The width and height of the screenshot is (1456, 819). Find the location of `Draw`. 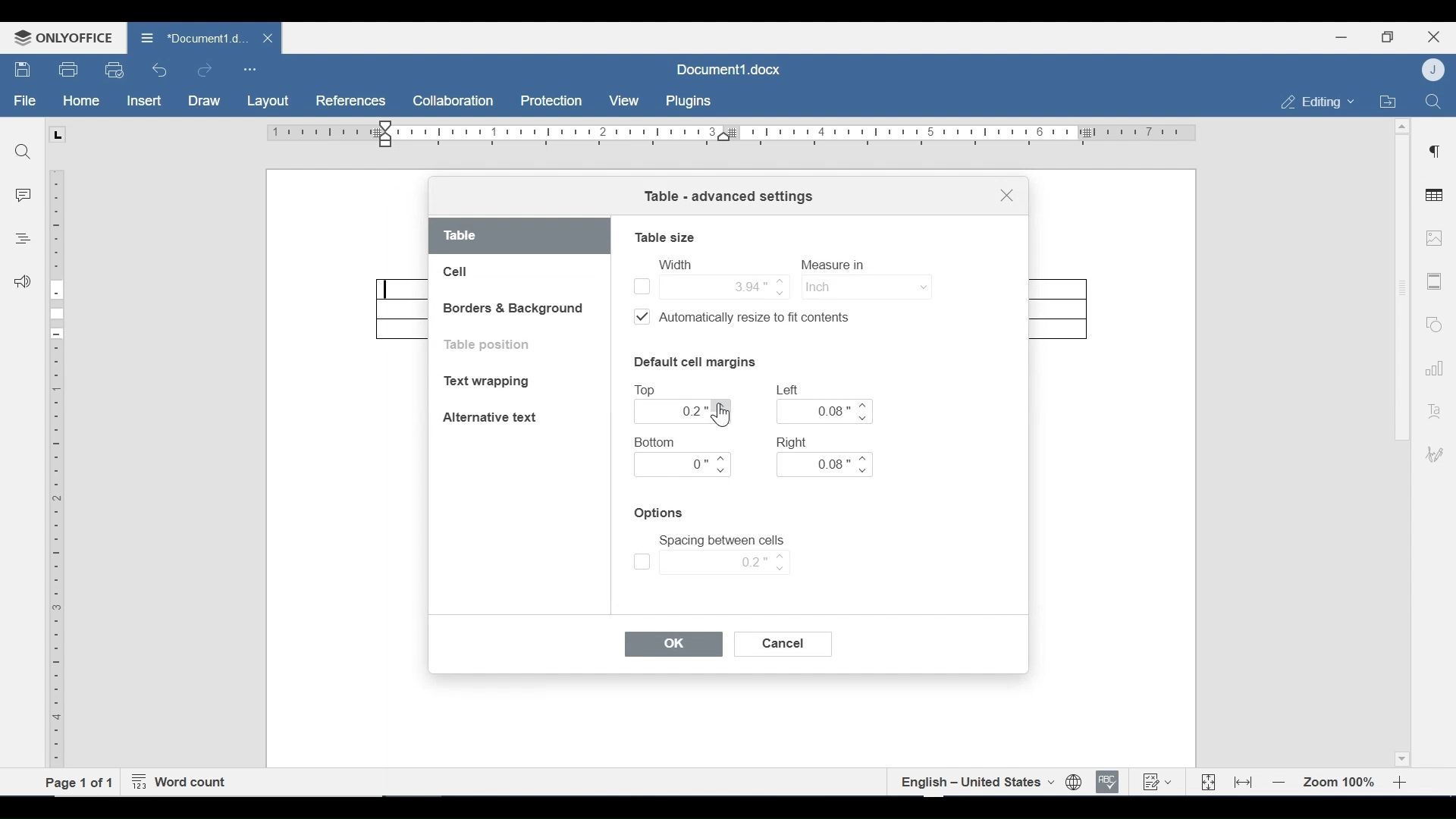

Draw is located at coordinates (204, 101).